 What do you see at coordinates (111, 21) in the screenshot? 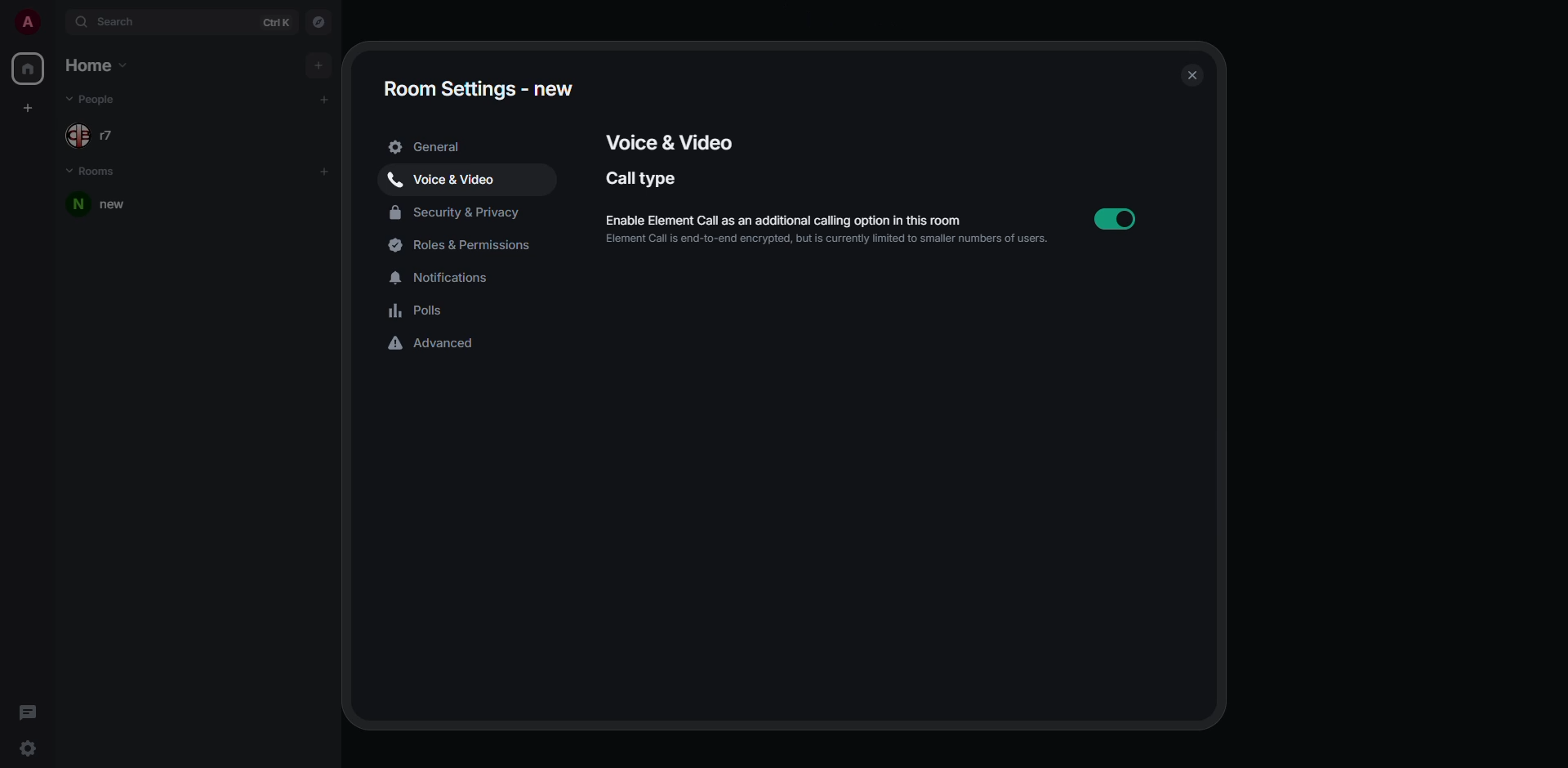
I see `search` at bounding box center [111, 21].